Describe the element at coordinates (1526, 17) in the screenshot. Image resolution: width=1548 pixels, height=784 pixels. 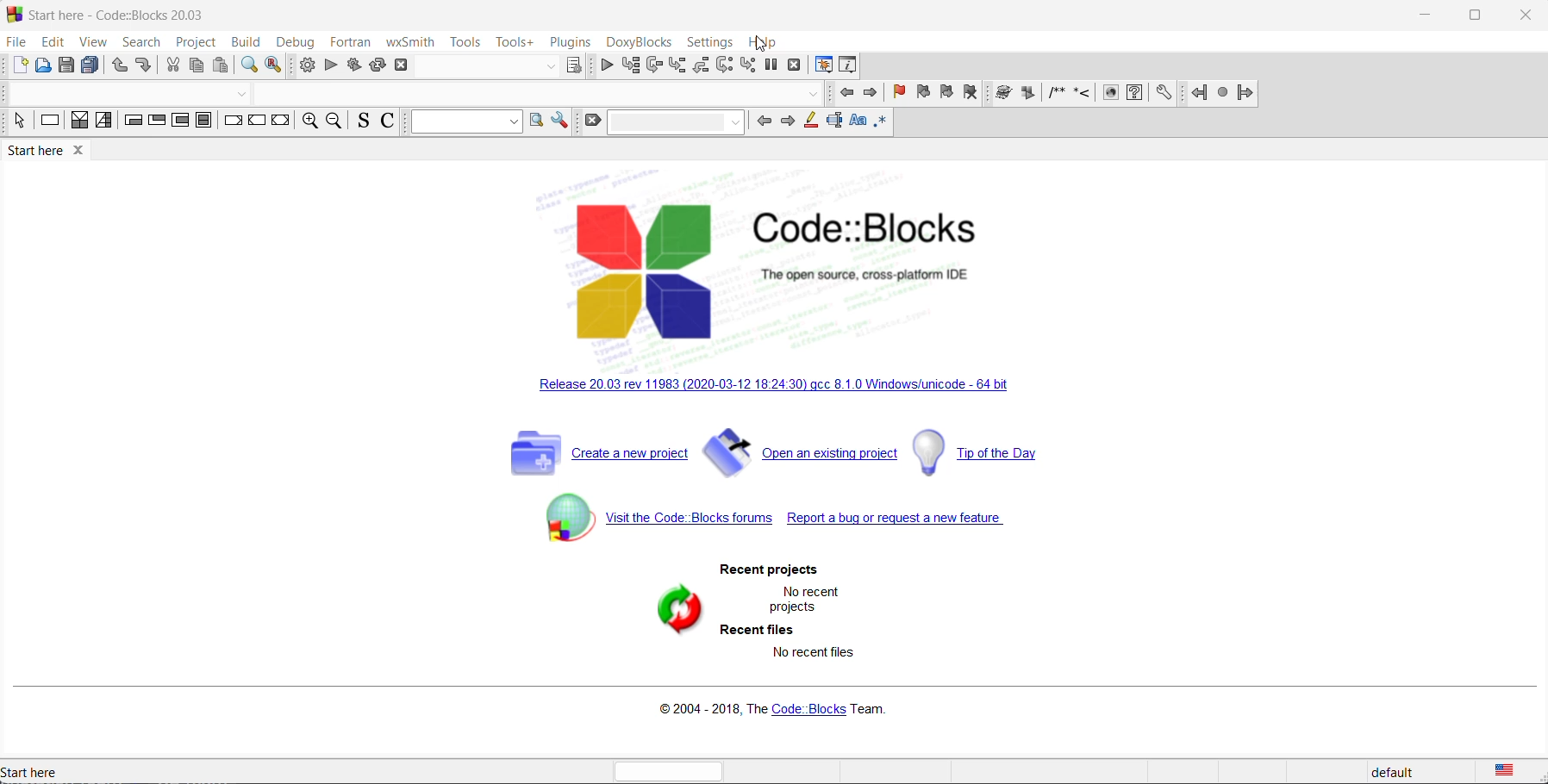
I see `close` at that location.